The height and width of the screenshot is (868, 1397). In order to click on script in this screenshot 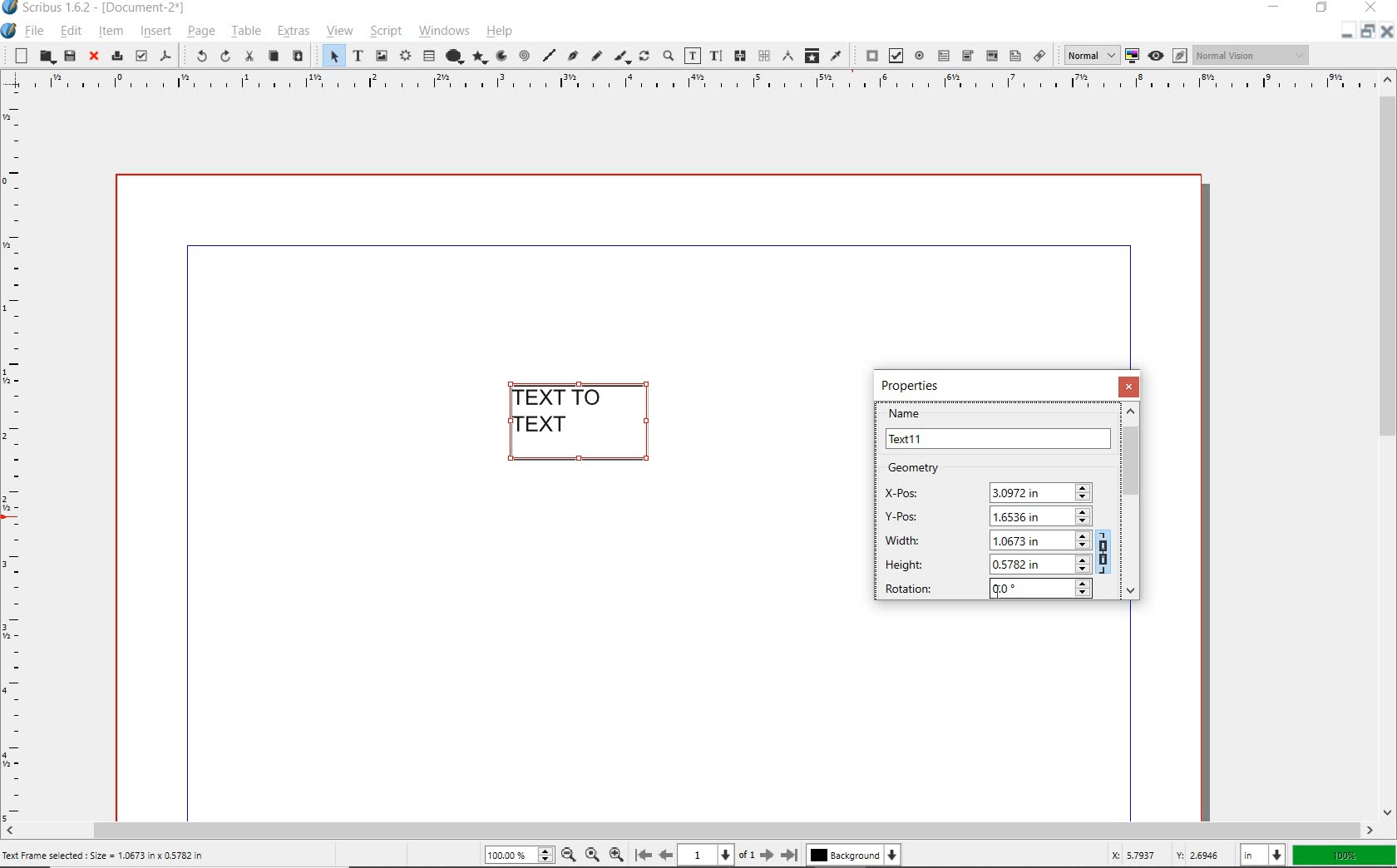, I will do `click(386, 31)`.